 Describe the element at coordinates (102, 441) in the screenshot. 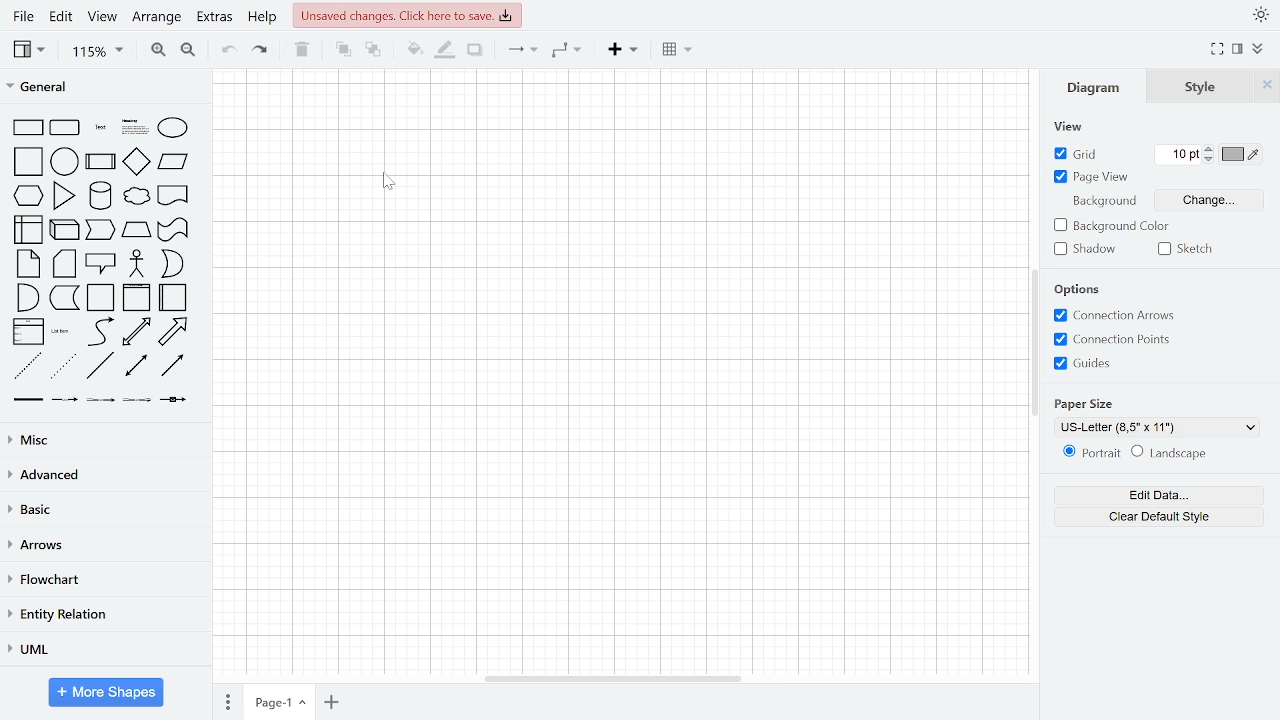

I see `misc` at that location.